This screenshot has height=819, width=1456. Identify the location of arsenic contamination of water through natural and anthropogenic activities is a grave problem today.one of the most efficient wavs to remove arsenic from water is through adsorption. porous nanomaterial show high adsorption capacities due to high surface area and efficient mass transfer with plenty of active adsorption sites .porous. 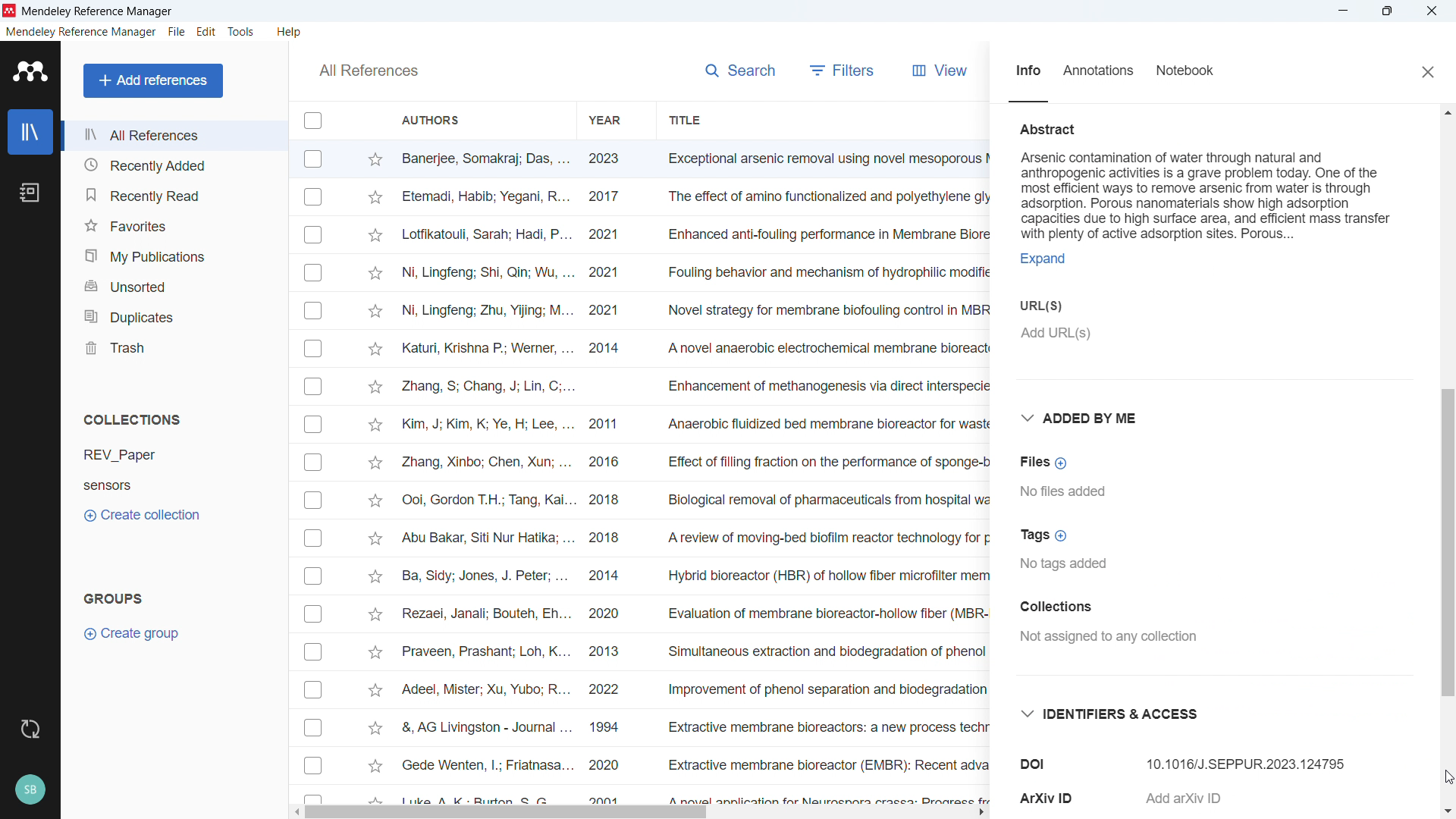
(1219, 193).